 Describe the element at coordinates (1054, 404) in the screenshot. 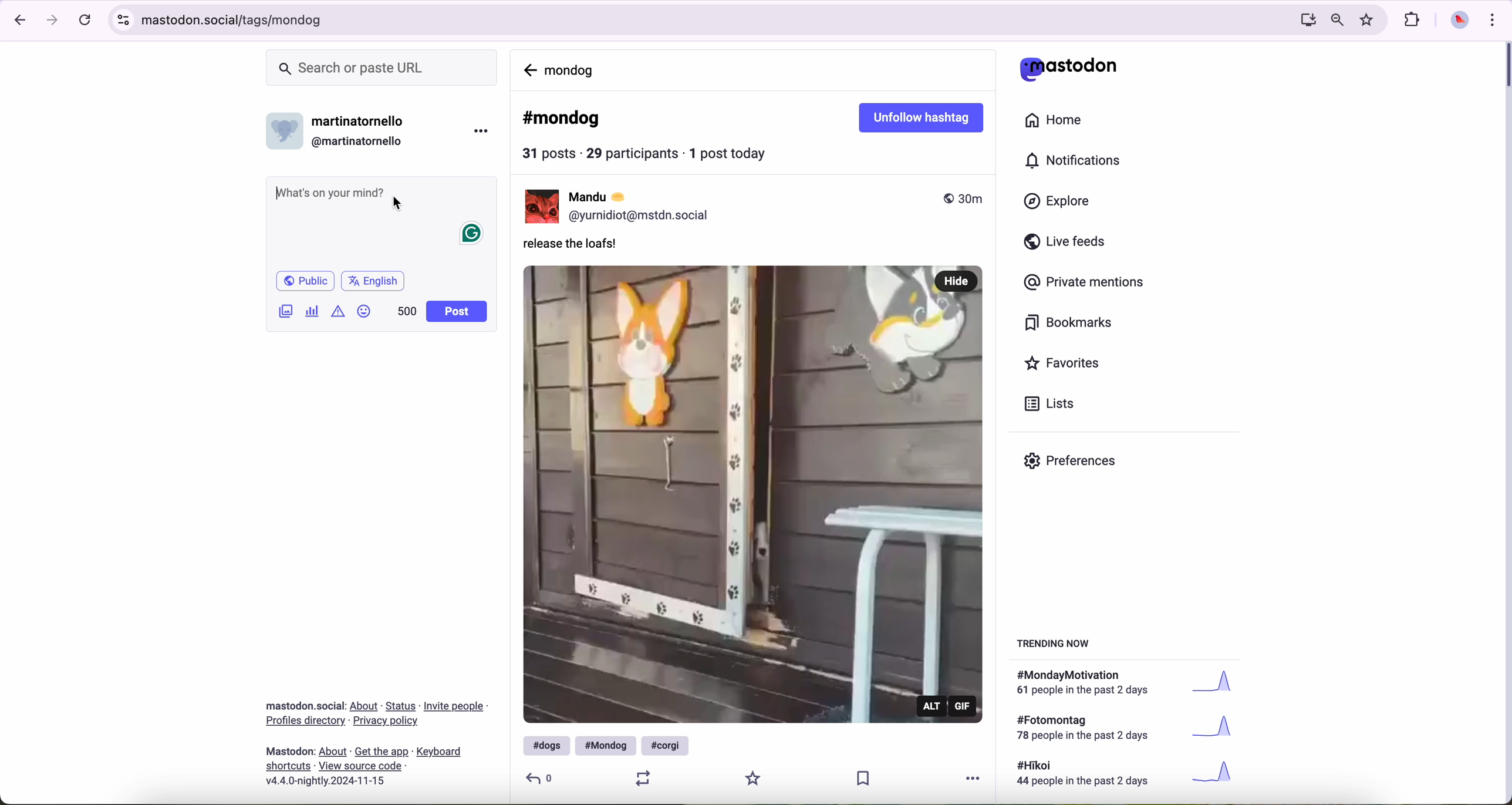

I see `lists` at that location.